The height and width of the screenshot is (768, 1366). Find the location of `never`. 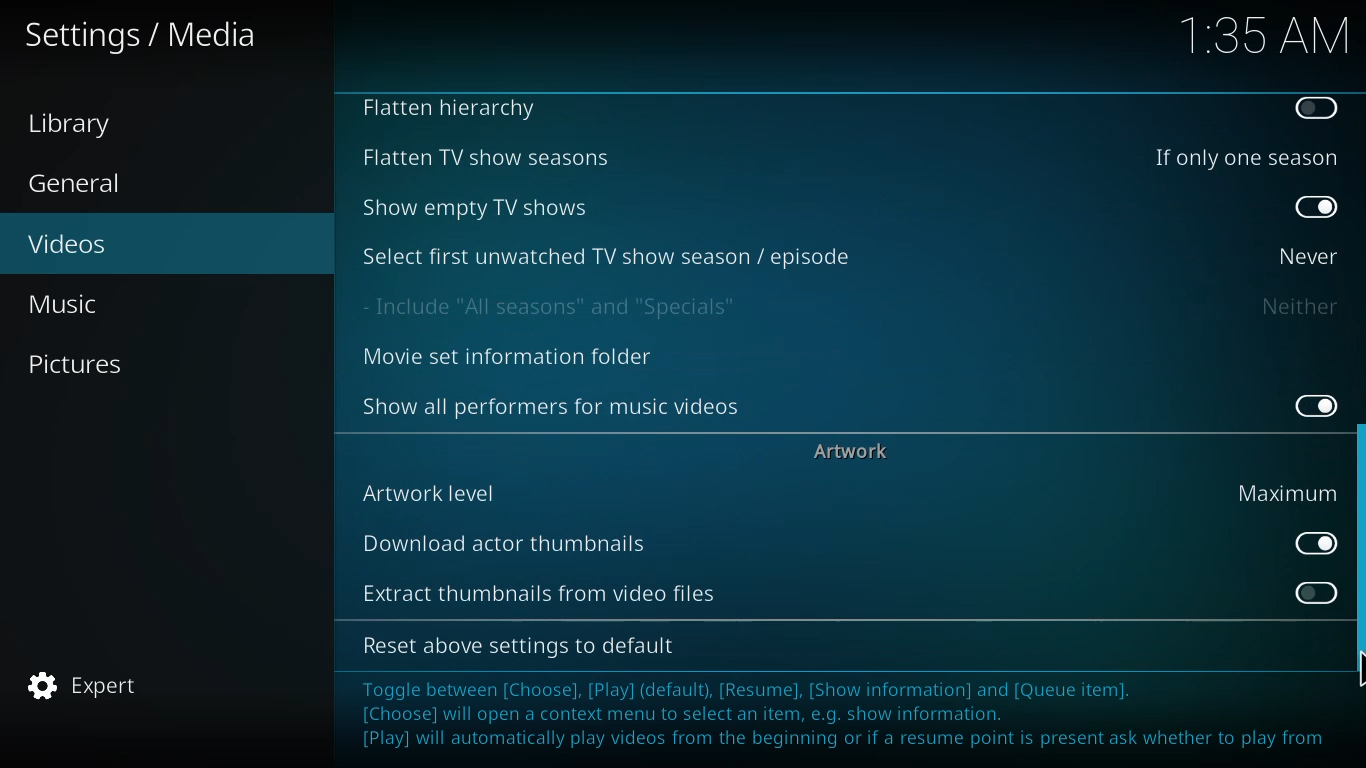

never is located at coordinates (1303, 255).